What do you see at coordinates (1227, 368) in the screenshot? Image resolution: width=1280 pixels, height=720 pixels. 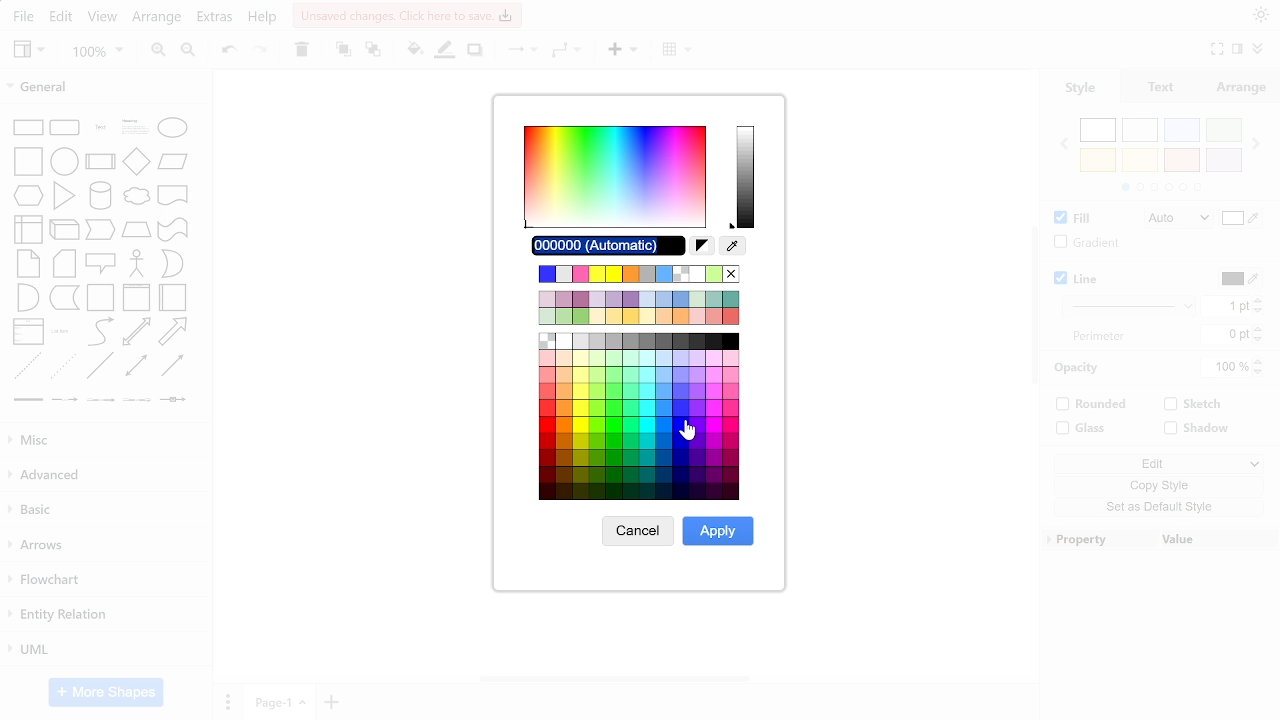 I see `current opacity` at bounding box center [1227, 368].